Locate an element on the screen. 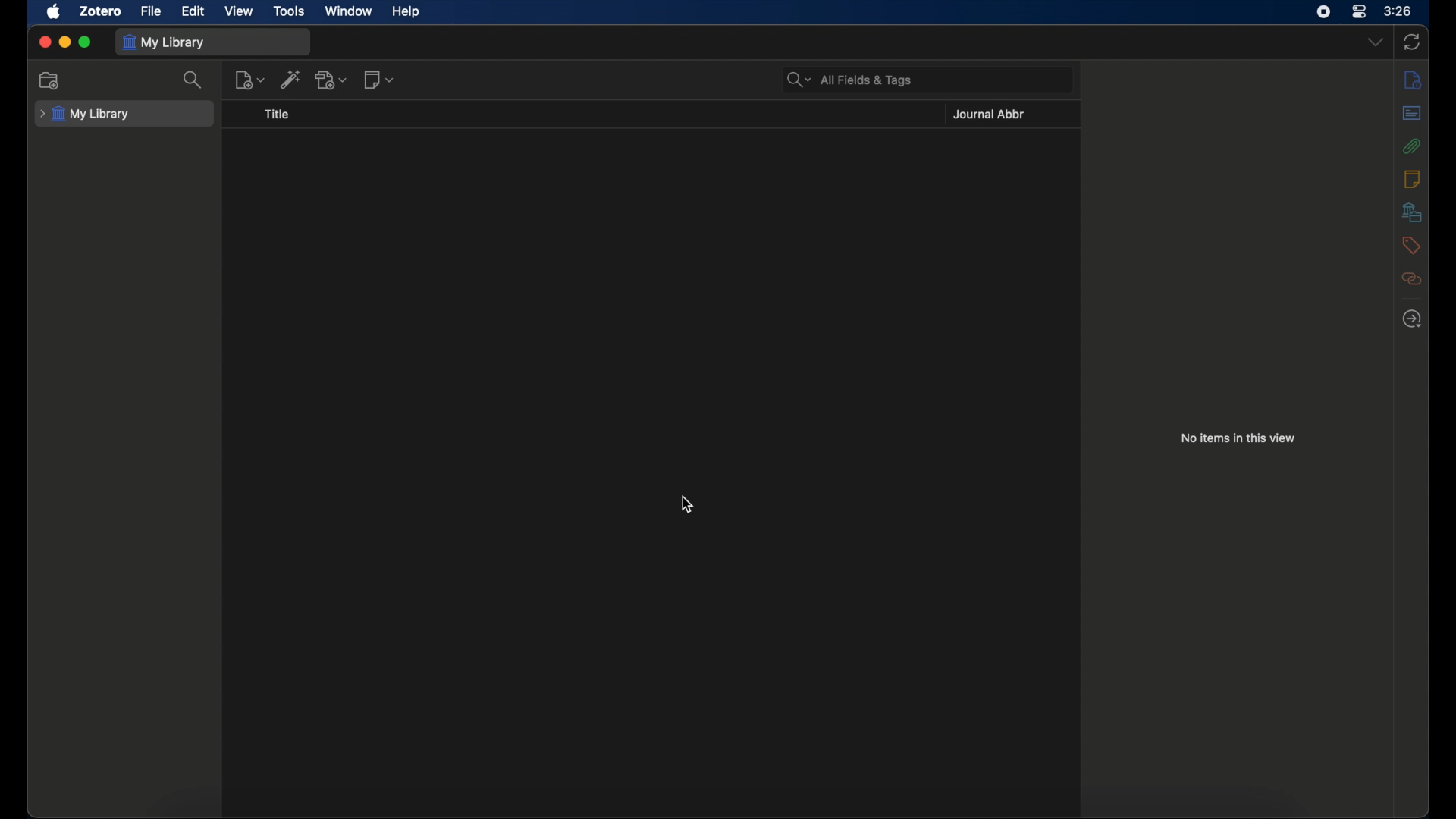  search is located at coordinates (194, 81).